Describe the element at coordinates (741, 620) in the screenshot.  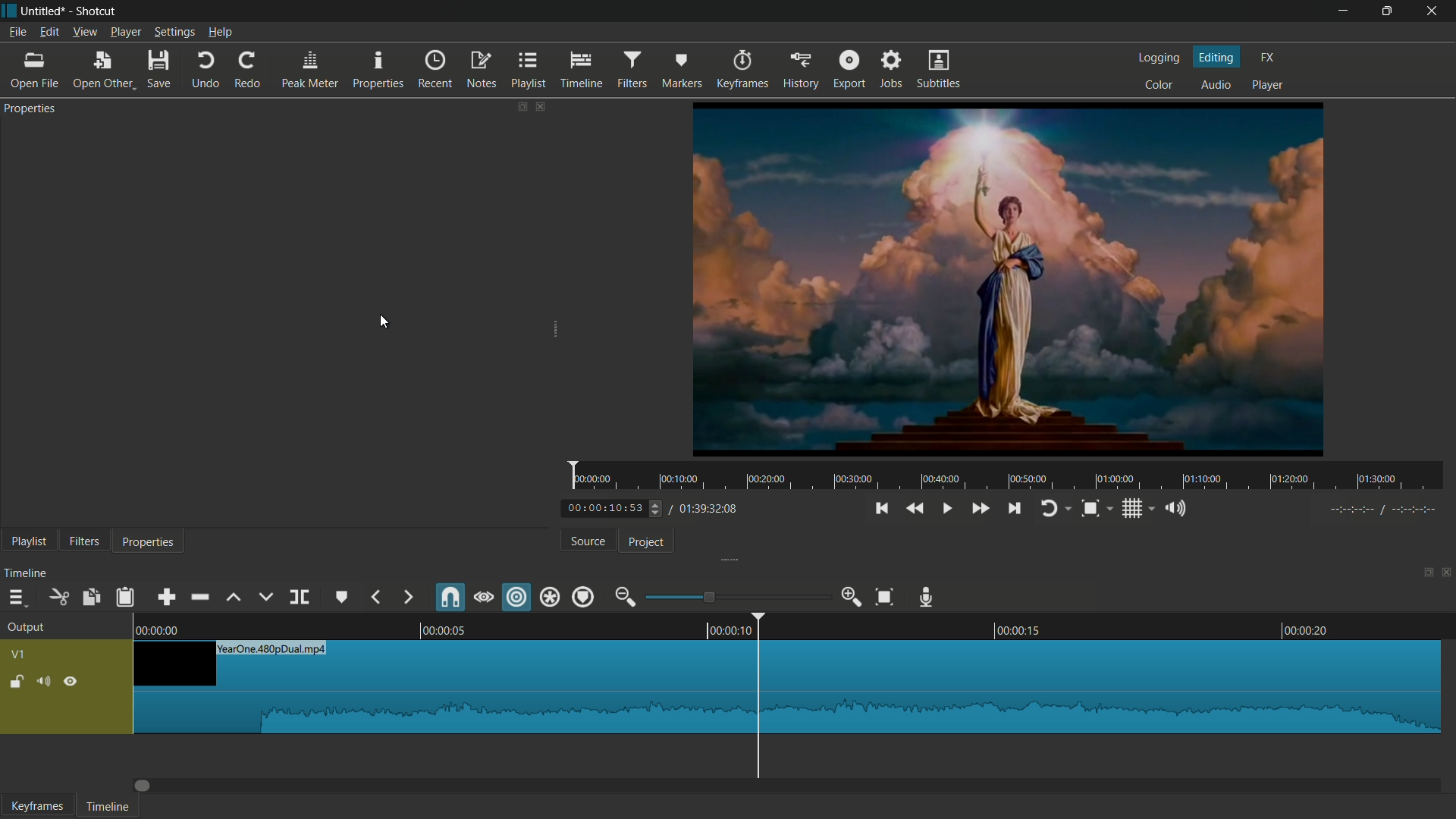
I see `00.00.10` at that location.